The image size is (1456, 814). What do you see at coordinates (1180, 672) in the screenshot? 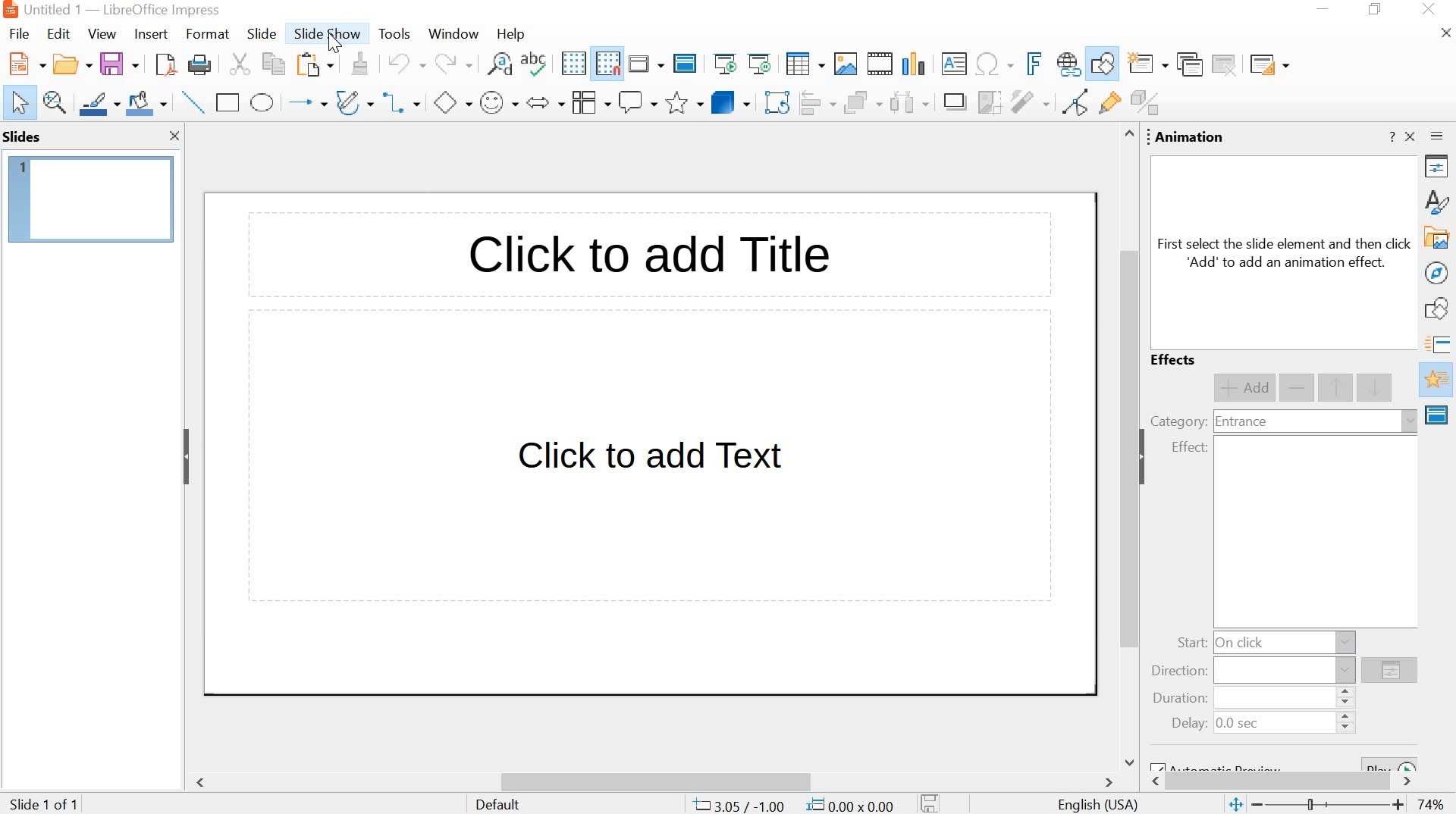
I see `direction` at bounding box center [1180, 672].